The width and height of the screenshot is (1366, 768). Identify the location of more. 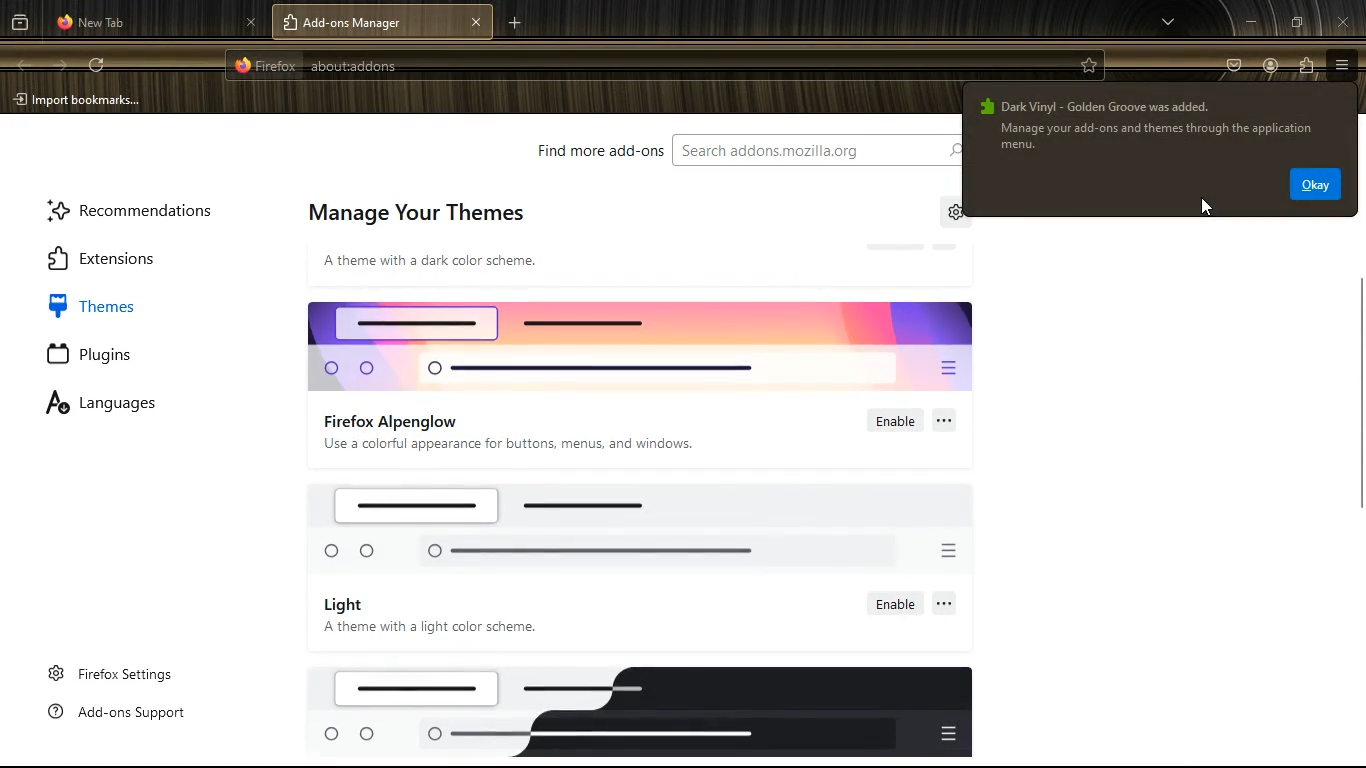
(1170, 22).